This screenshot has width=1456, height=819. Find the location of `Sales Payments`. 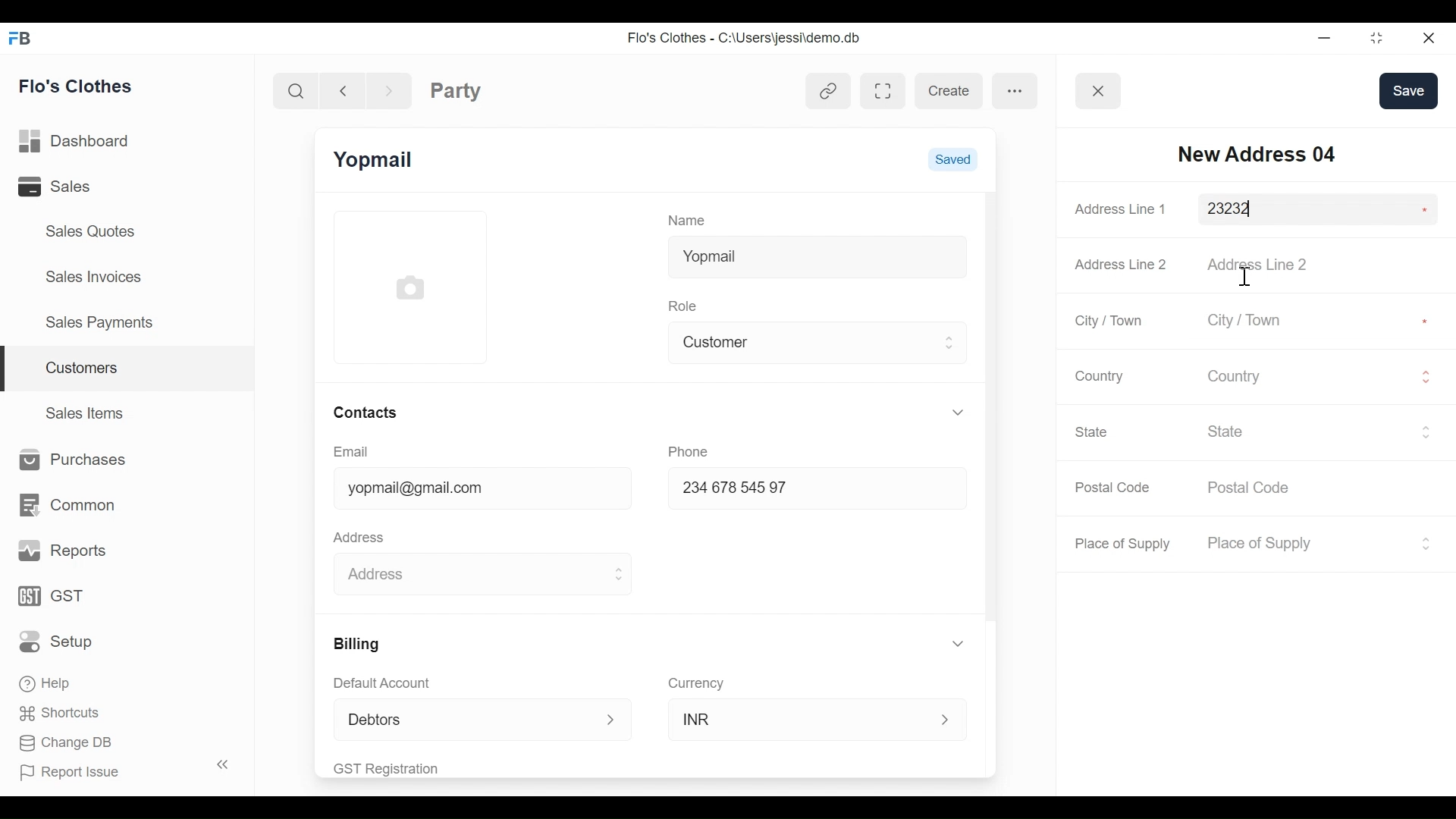

Sales Payments is located at coordinates (98, 322).